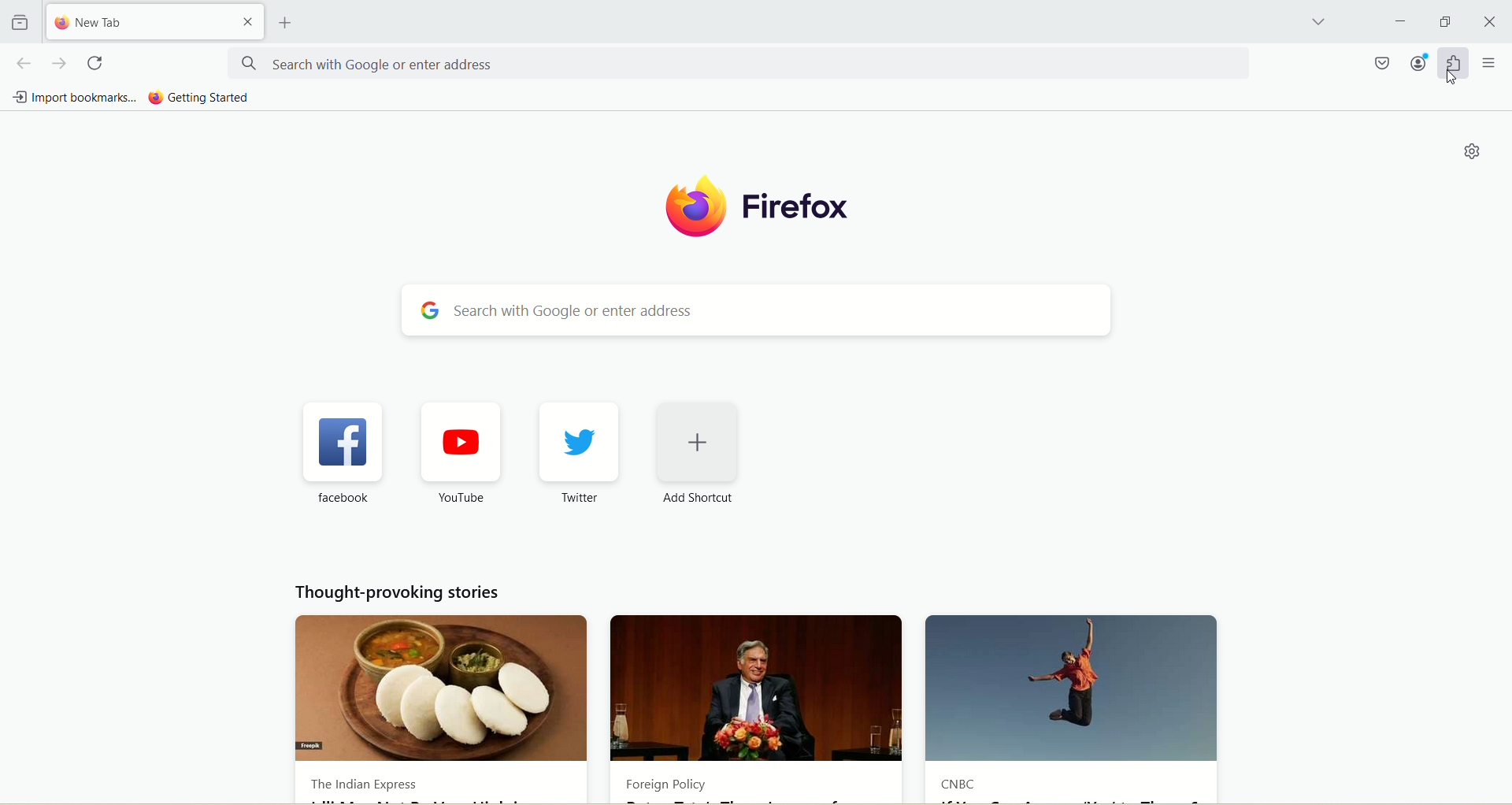 The width and height of the screenshot is (1512, 805). I want to click on Add Page, so click(283, 23).